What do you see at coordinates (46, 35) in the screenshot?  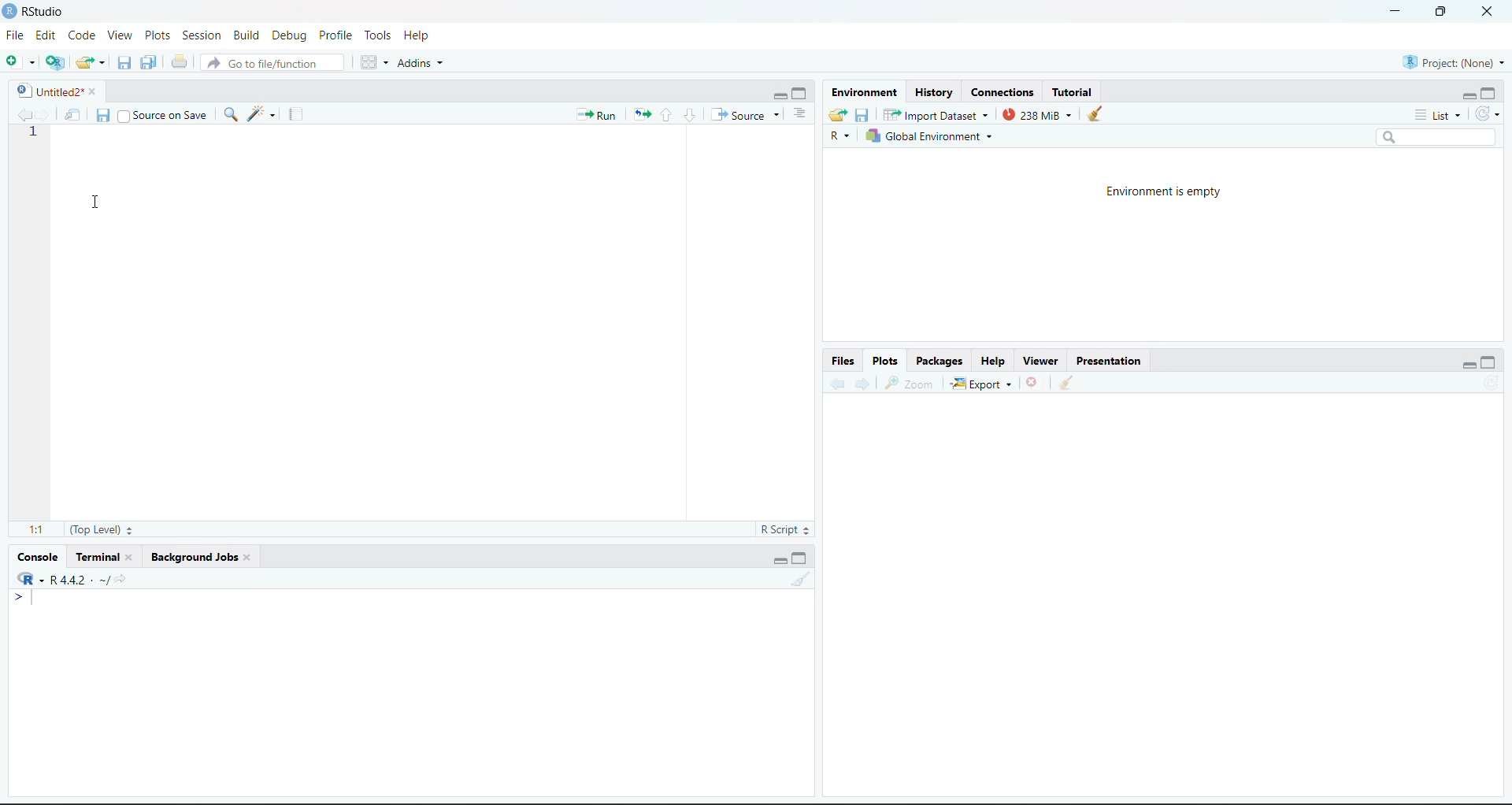 I see `Edit` at bounding box center [46, 35].